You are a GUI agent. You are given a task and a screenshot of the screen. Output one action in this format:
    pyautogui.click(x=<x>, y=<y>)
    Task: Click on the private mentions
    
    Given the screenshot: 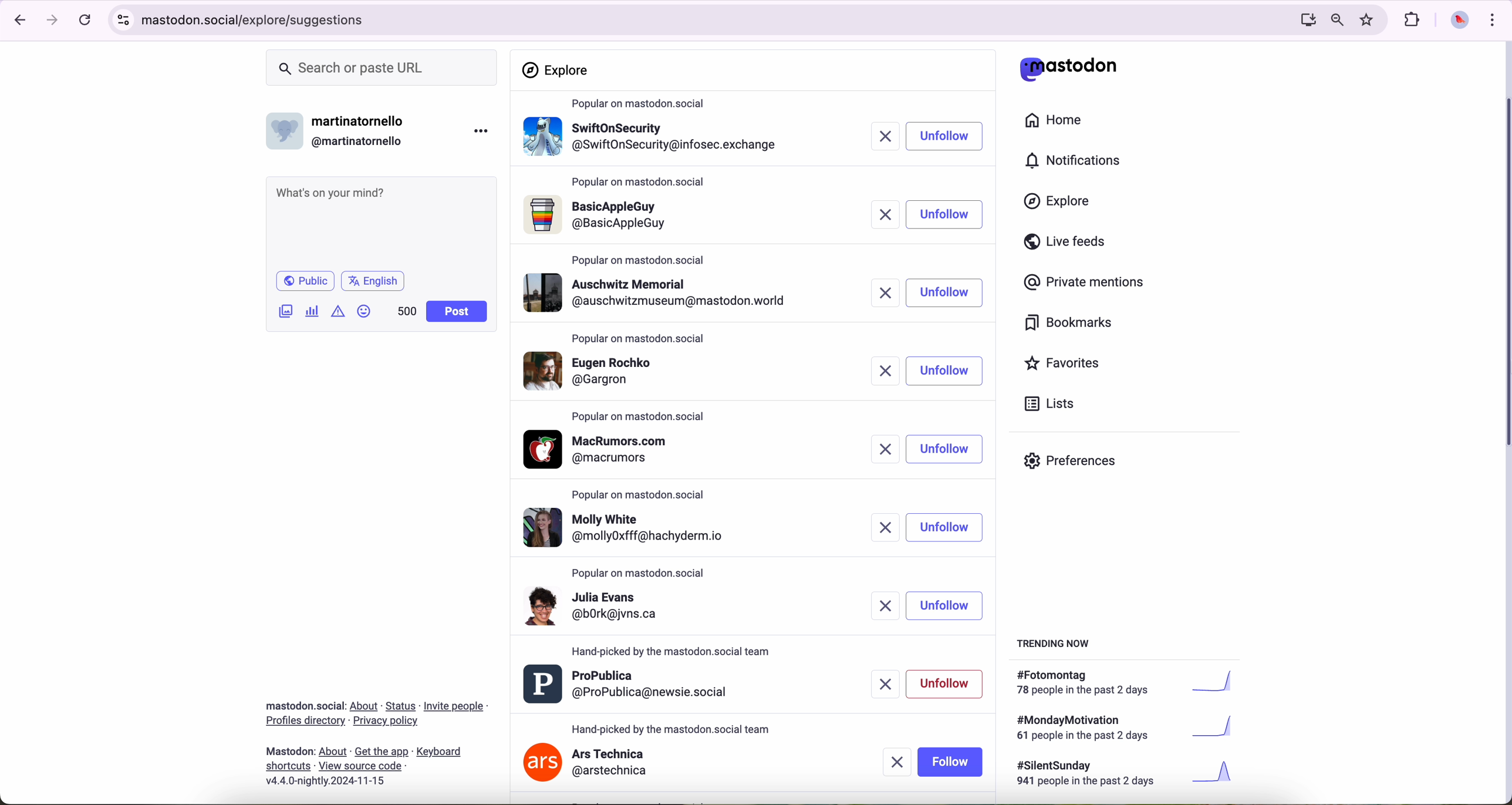 What is the action you would take?
    pyautogui.click(x=1085, y=283)
    